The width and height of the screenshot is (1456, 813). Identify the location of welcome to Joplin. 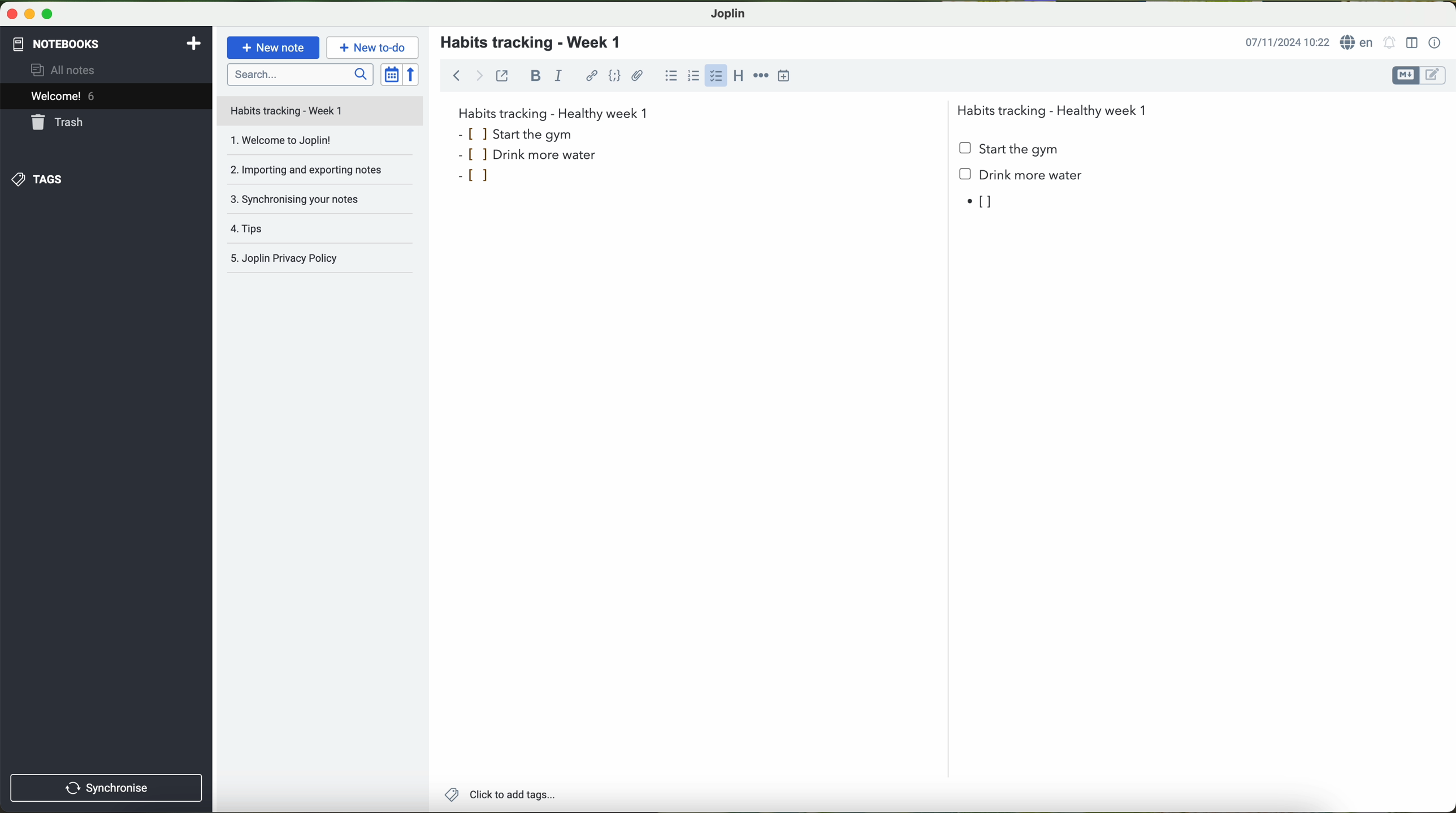
(319, 145).